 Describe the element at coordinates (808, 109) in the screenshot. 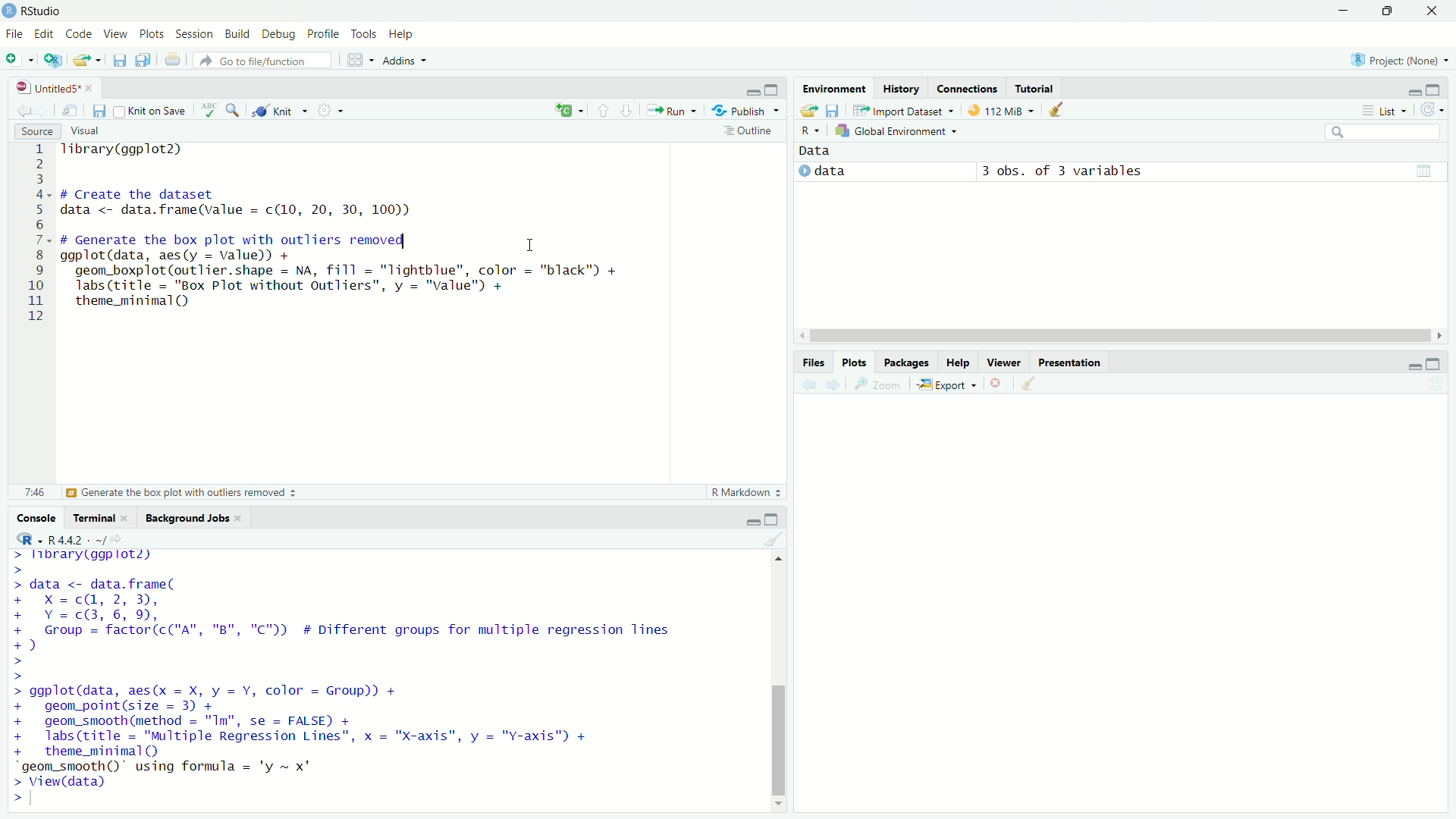

I see `export` at that location.